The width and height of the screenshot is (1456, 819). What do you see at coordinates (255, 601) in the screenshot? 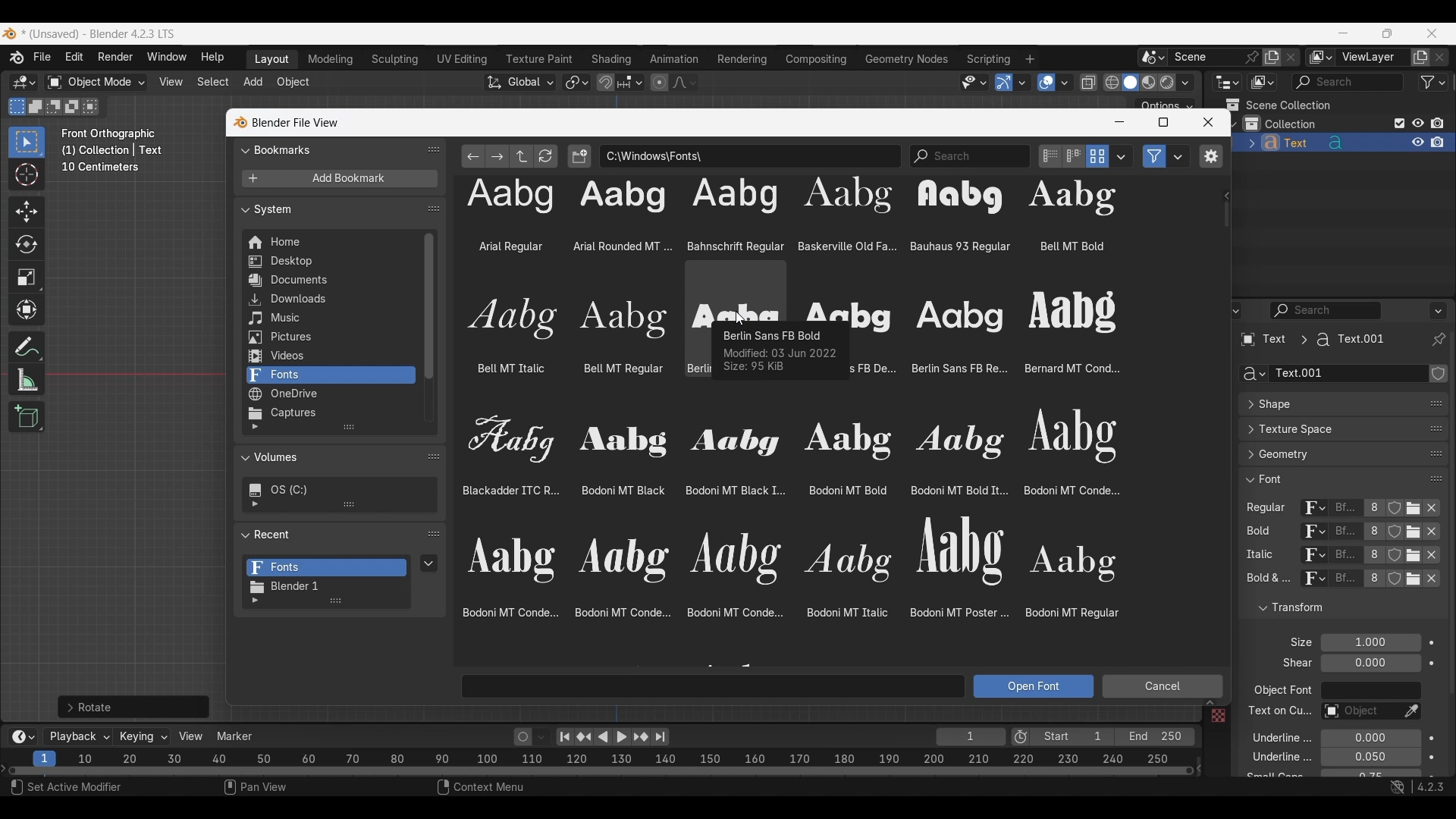
I see `Show filtering options` at bounding box center [255, 601].